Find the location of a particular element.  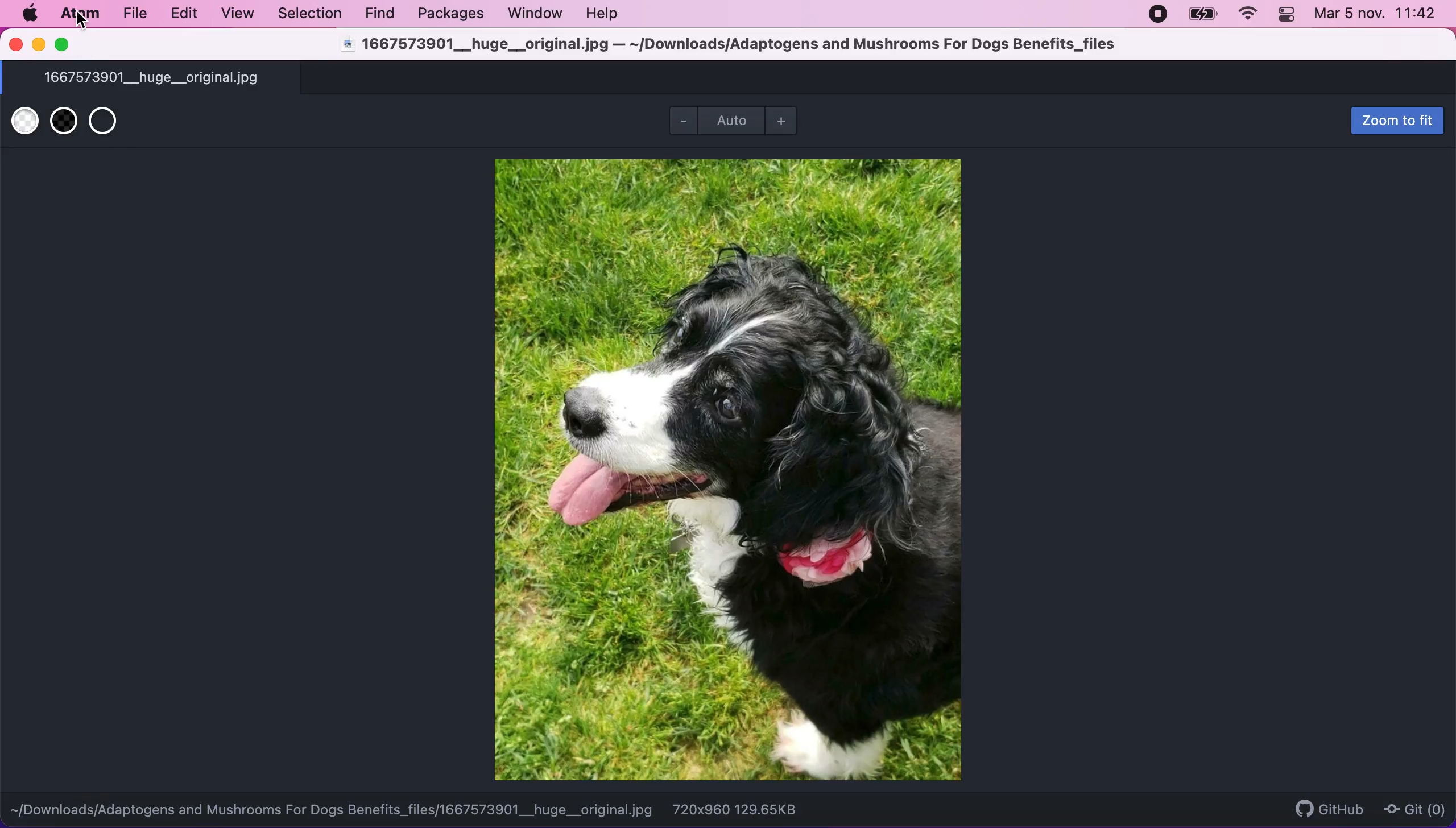

1667573901__huge__original.jpg is located at coordinates (155, 78).